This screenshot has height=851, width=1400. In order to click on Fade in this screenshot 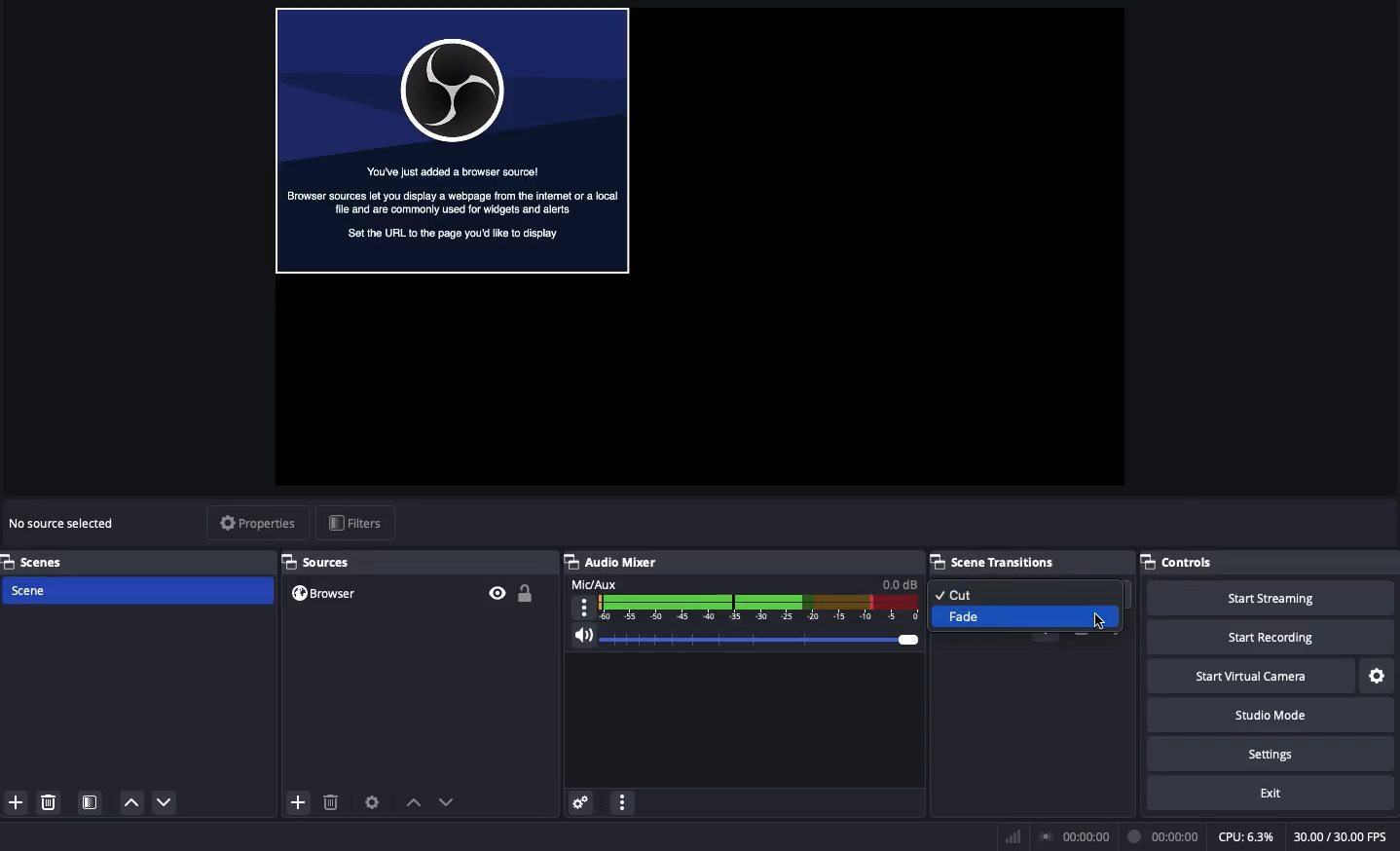, I will do `click(1029, 618)`.